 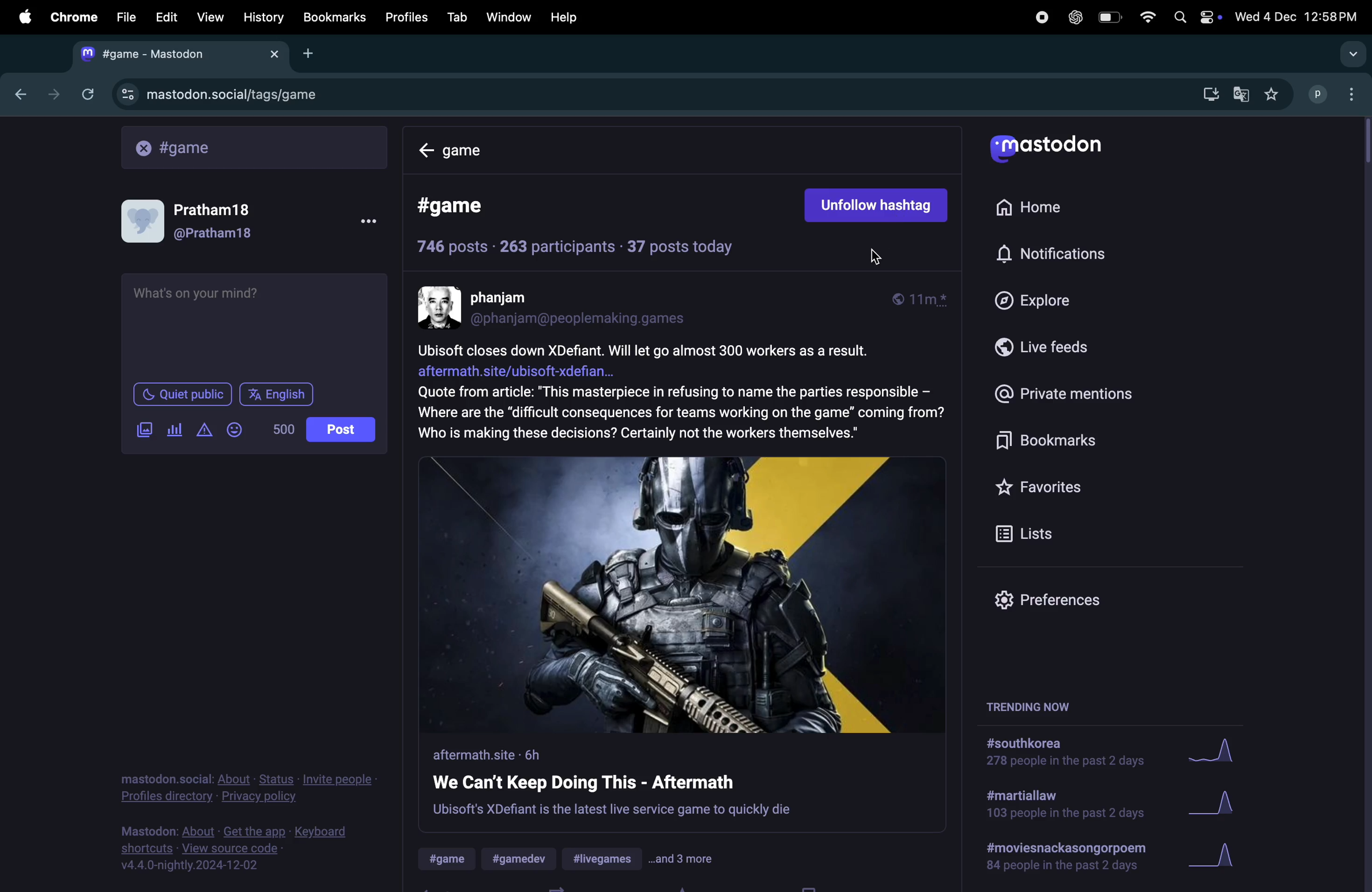 I want to click on apple widgets, so click(x=1193, y=16).